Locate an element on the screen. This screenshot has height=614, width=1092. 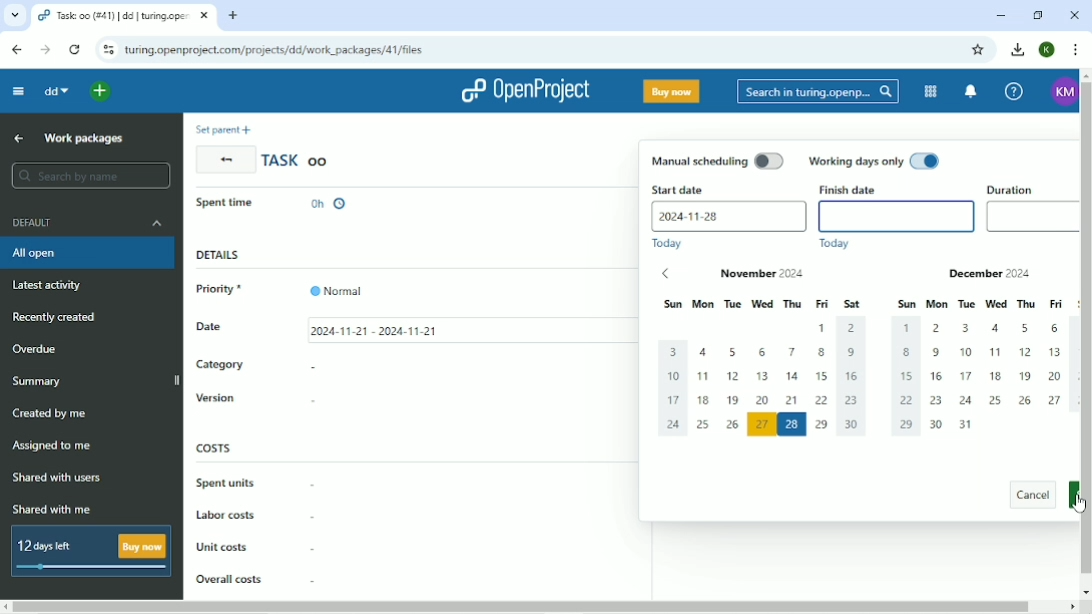
Search by name is located at coordinates (91, 176).